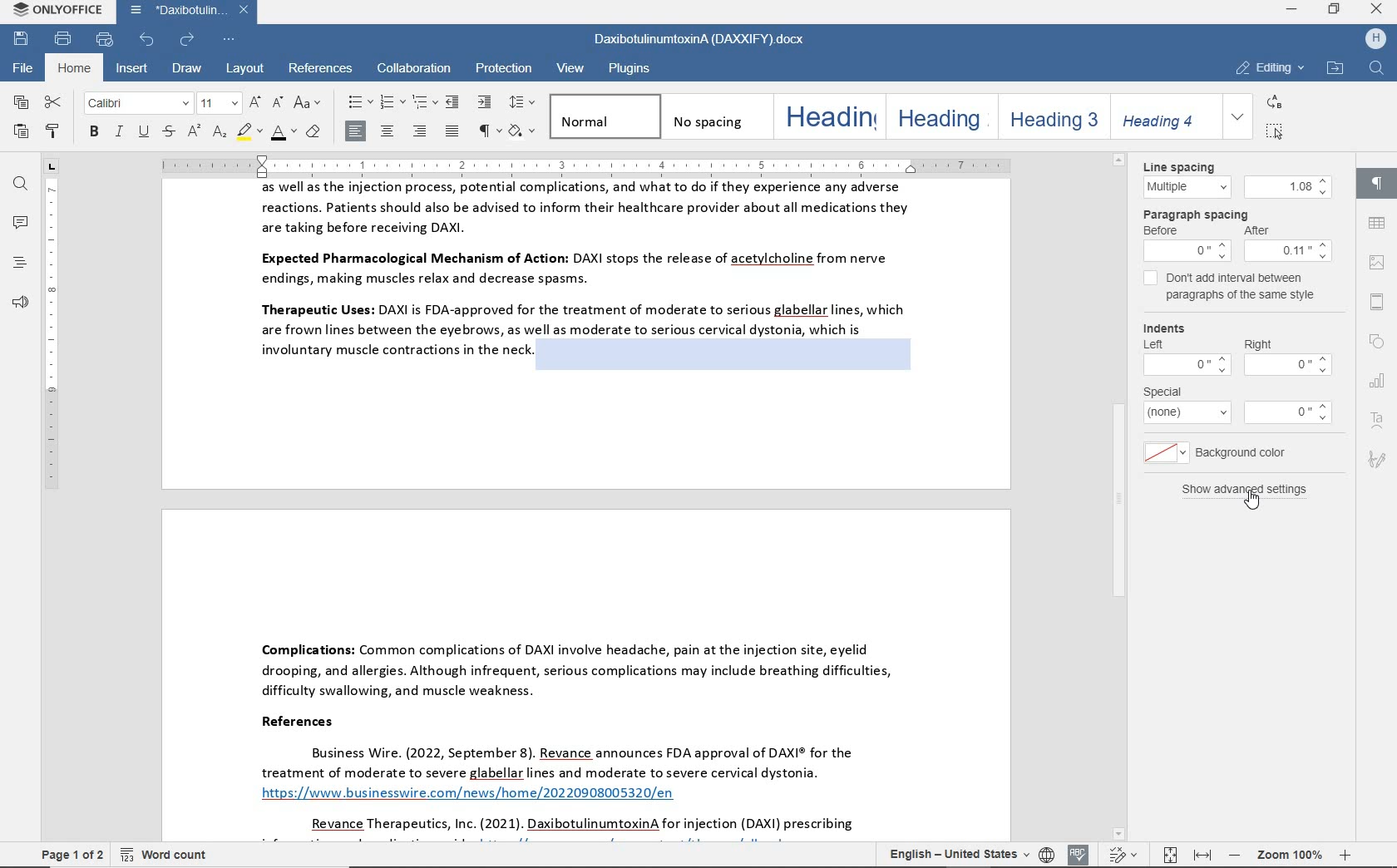  Describe the element at coordinates (1380, 457) in the screenshot. I see `signature` at that location.